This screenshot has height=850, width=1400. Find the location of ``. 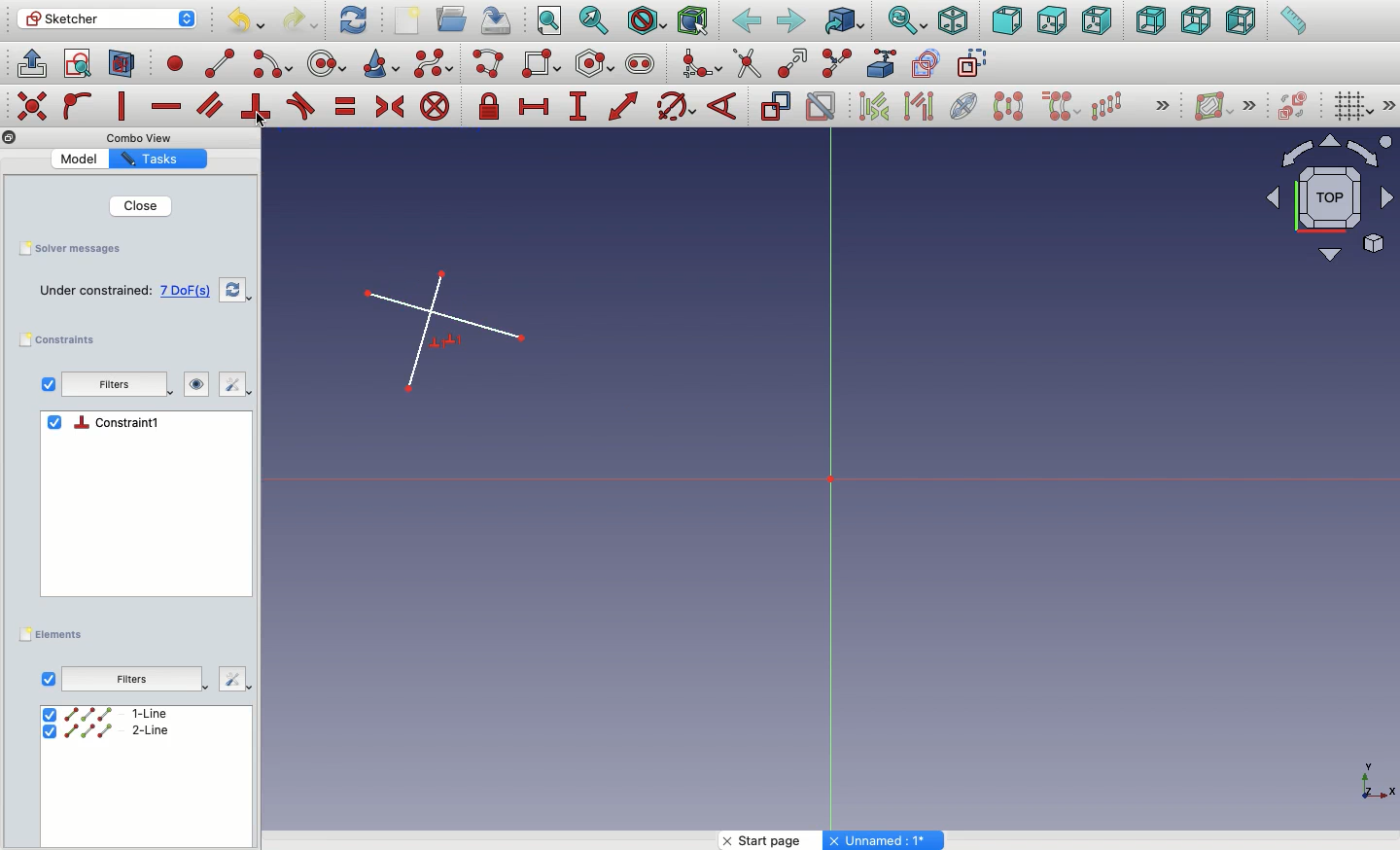

 is located at coordinates (235, 681).